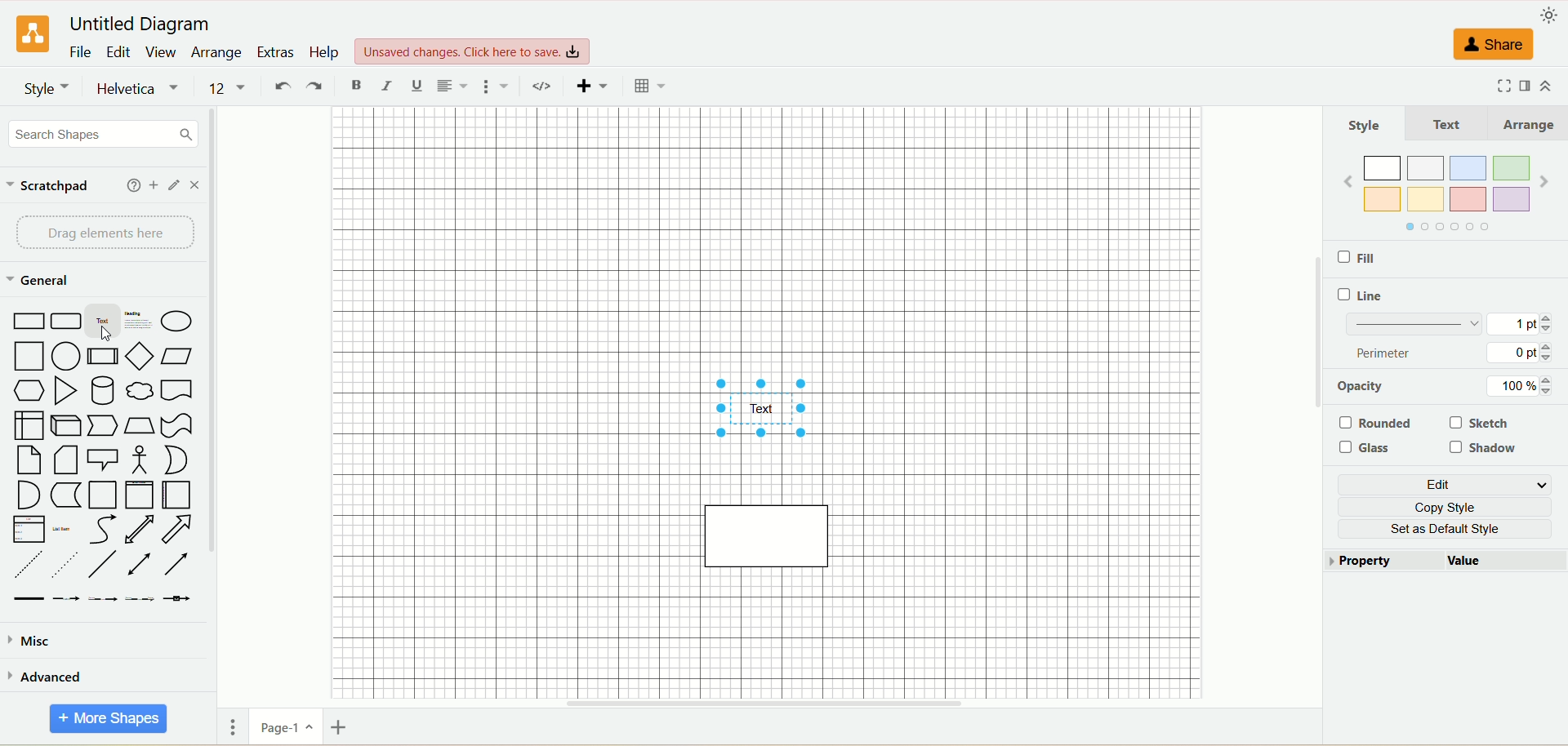 The height and width of the screenshot is (746, 1568). I want to click on square, so click(30, 357).